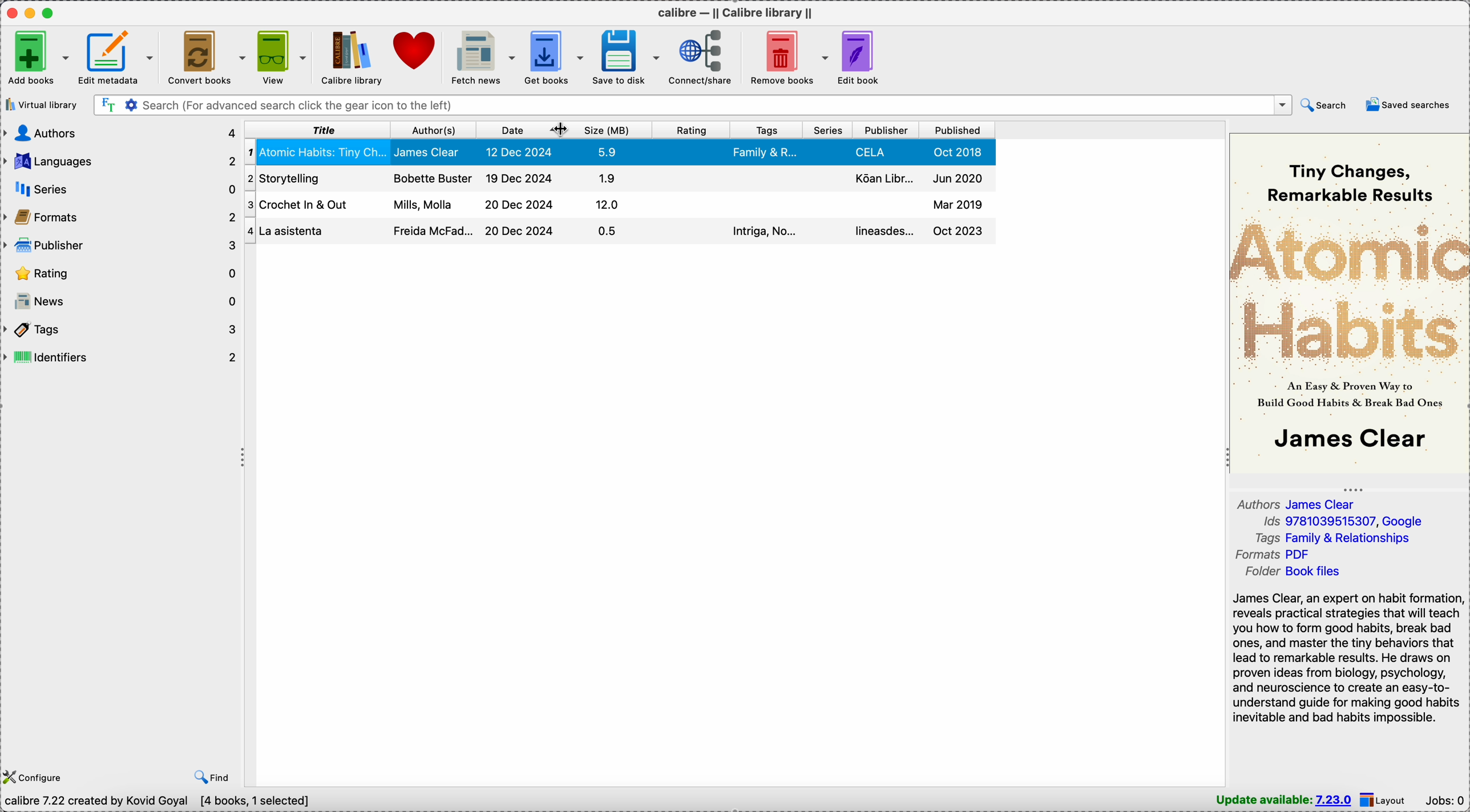 This screenshot has width=1470, height=812. I want to click on configure, so click(35, 775).